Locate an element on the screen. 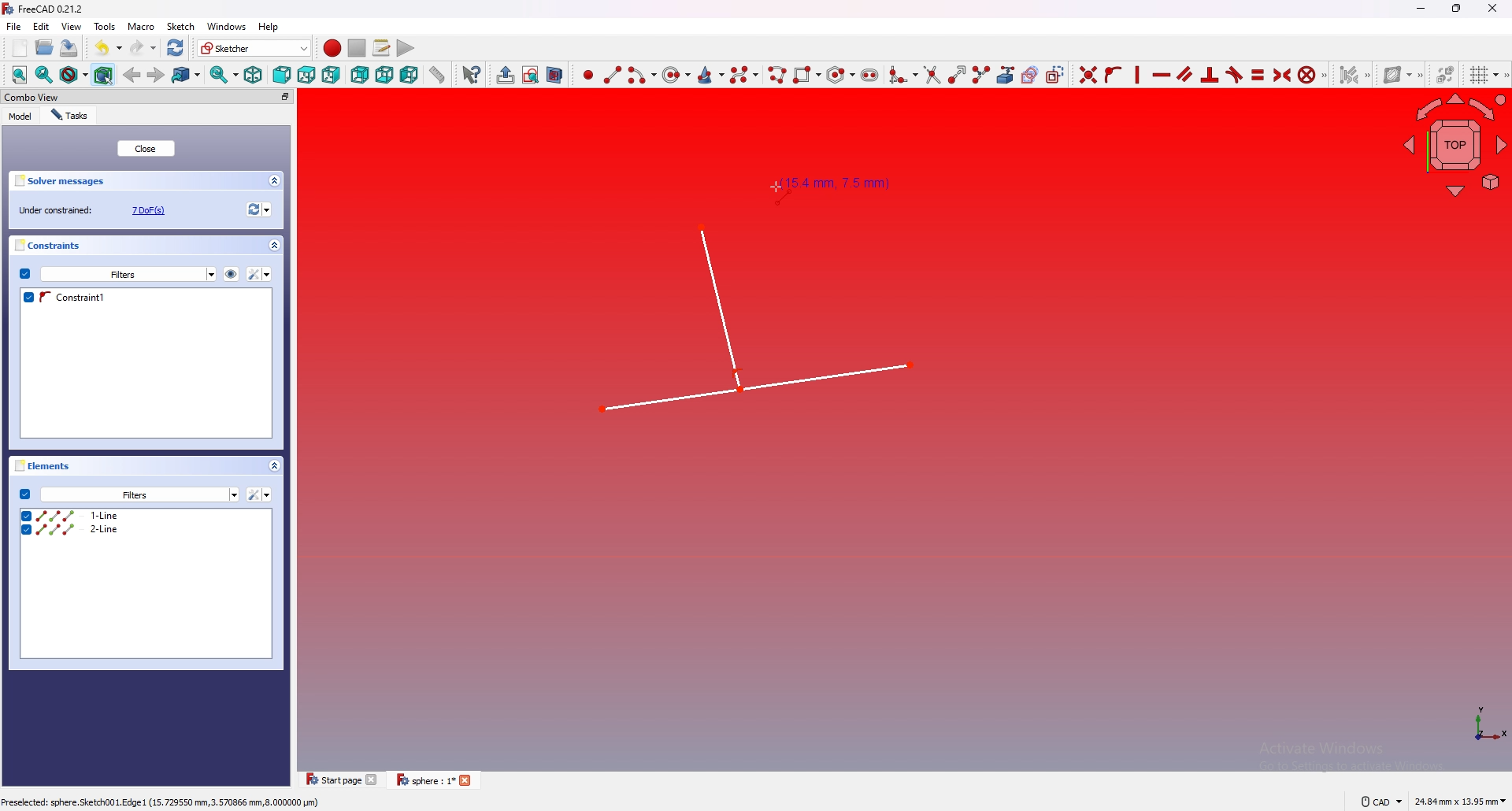 The width and height of the screenshot is (1512, 811). Front is located at coordinates (280, 75).